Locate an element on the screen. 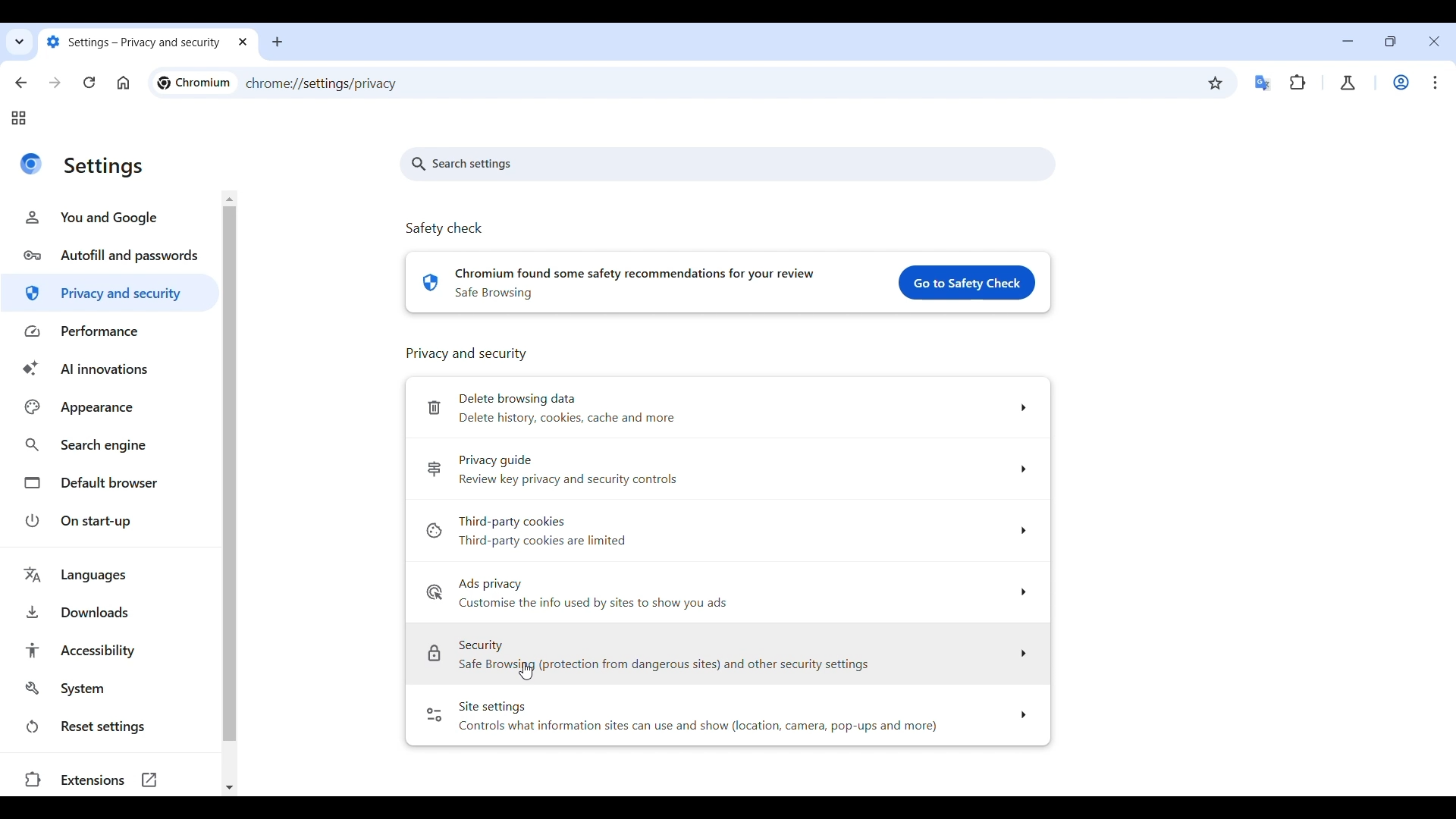 This screenshot has height=819, width=1456. Third-party cookies »Third-party cookies are limited is located at coordinates (729, 538).